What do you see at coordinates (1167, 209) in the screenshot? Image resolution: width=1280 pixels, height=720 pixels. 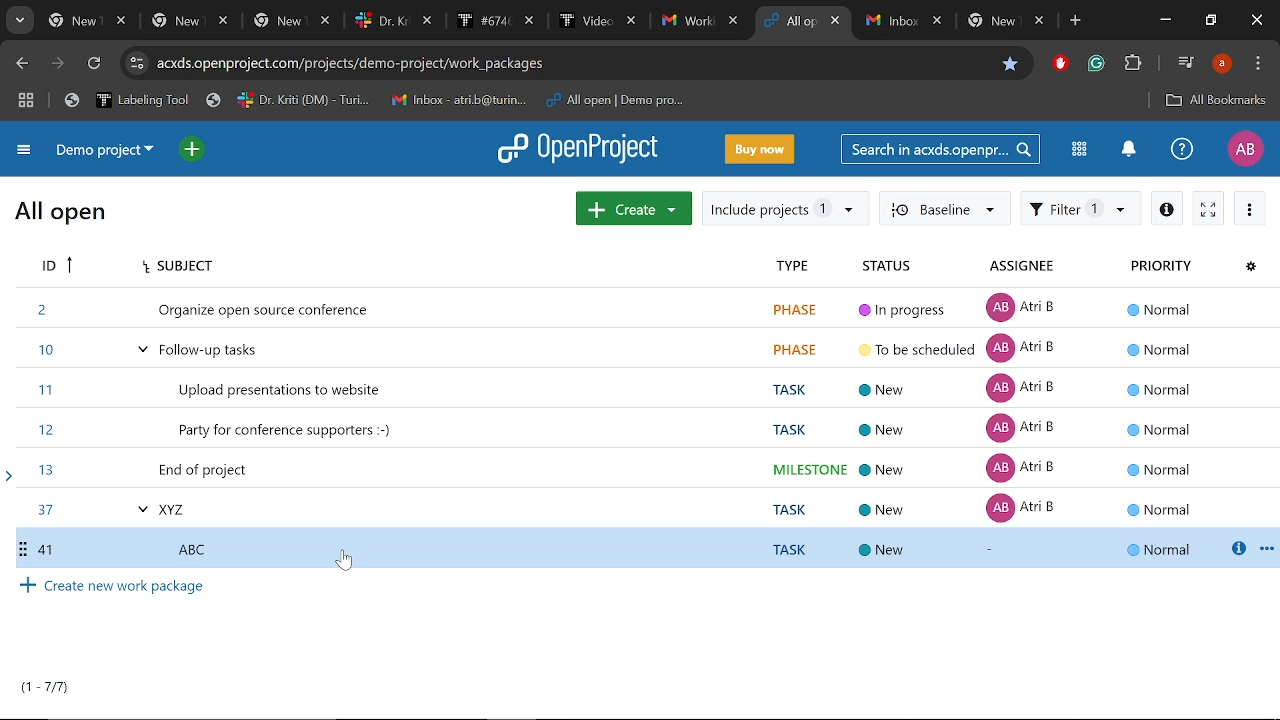 I see `Info` at bounding box center [1167, 209].